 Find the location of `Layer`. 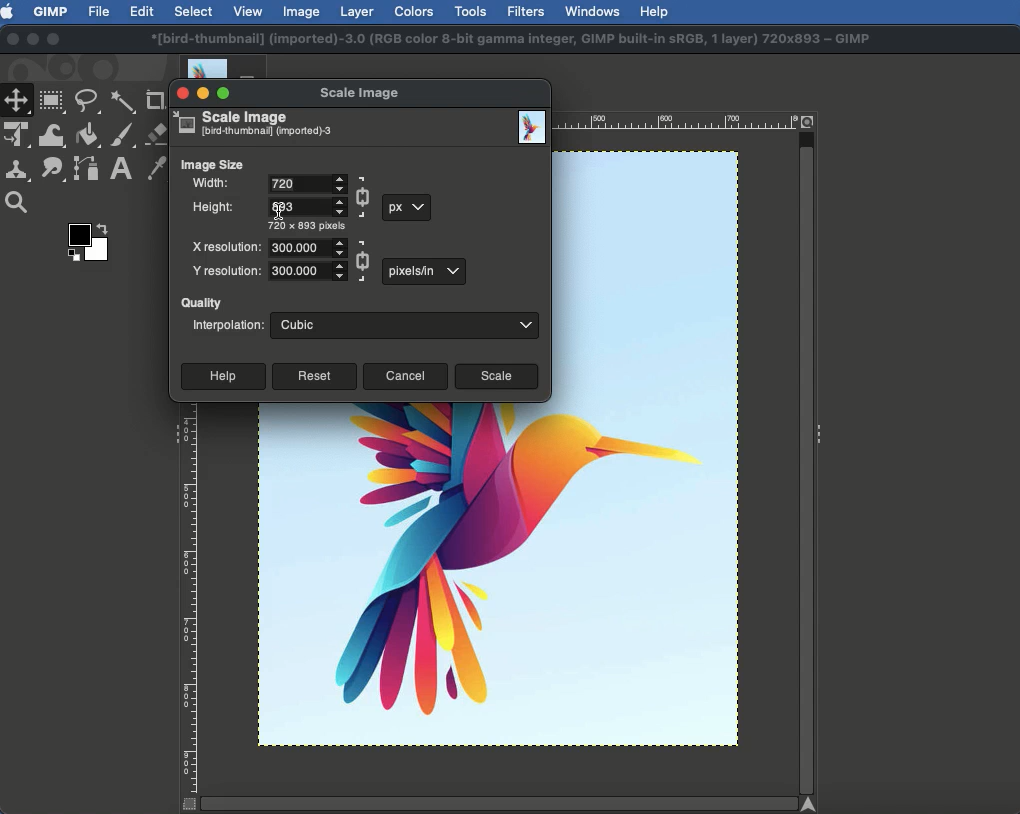

Layer is located at coordinates (357, 12).